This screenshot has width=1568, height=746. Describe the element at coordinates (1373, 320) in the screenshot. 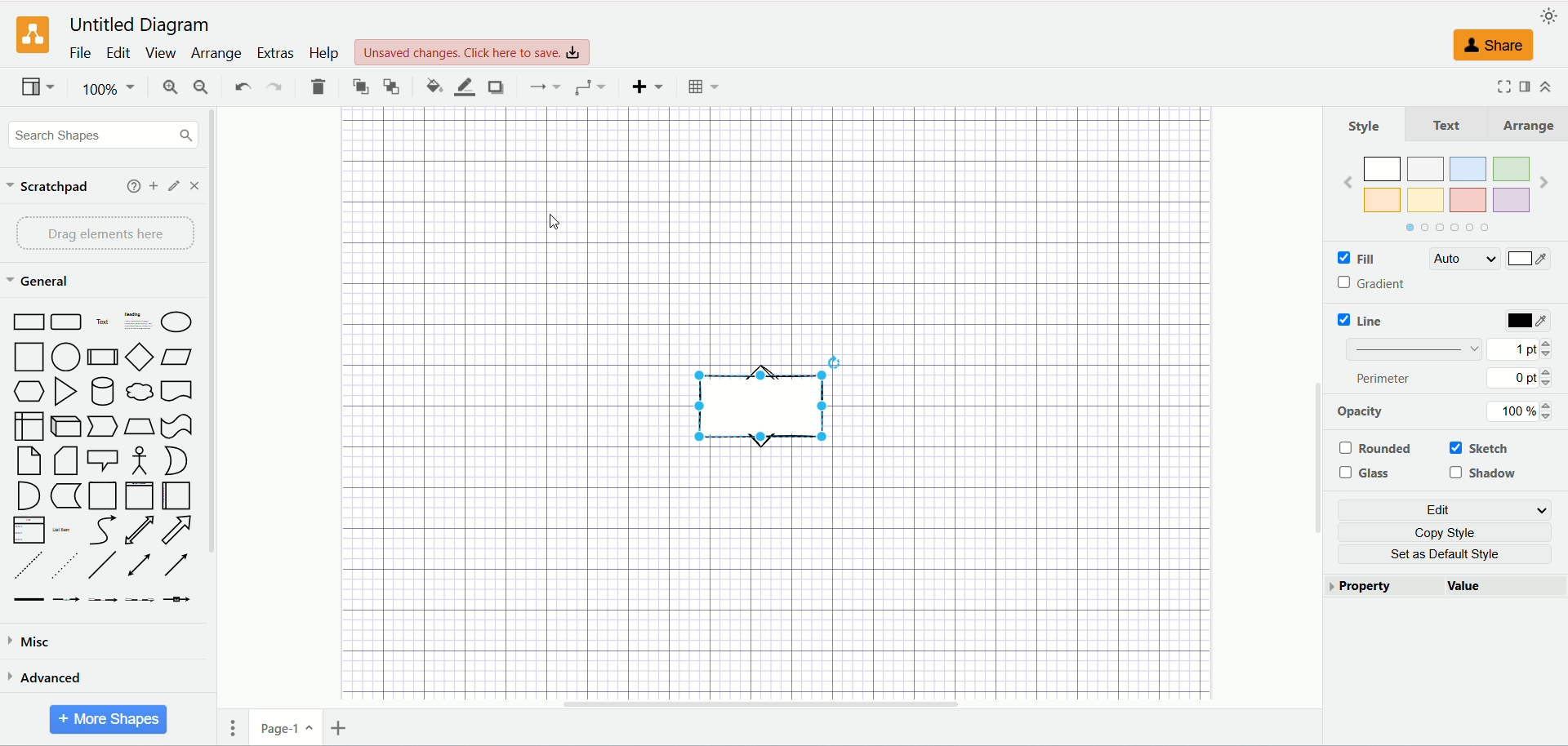

I see `line` at that location.